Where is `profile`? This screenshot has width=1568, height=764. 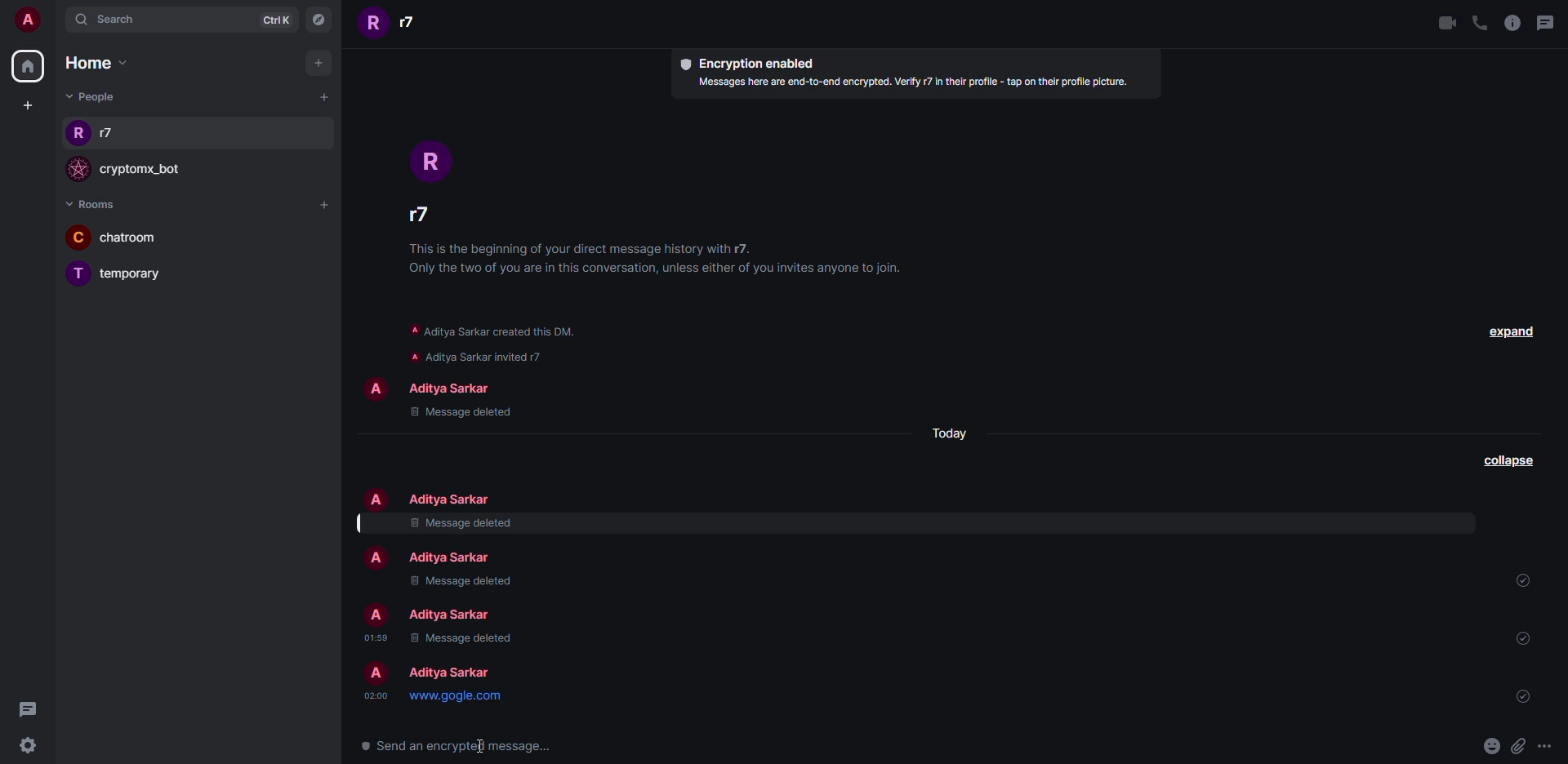 profile is located at coordinates (431, 162).